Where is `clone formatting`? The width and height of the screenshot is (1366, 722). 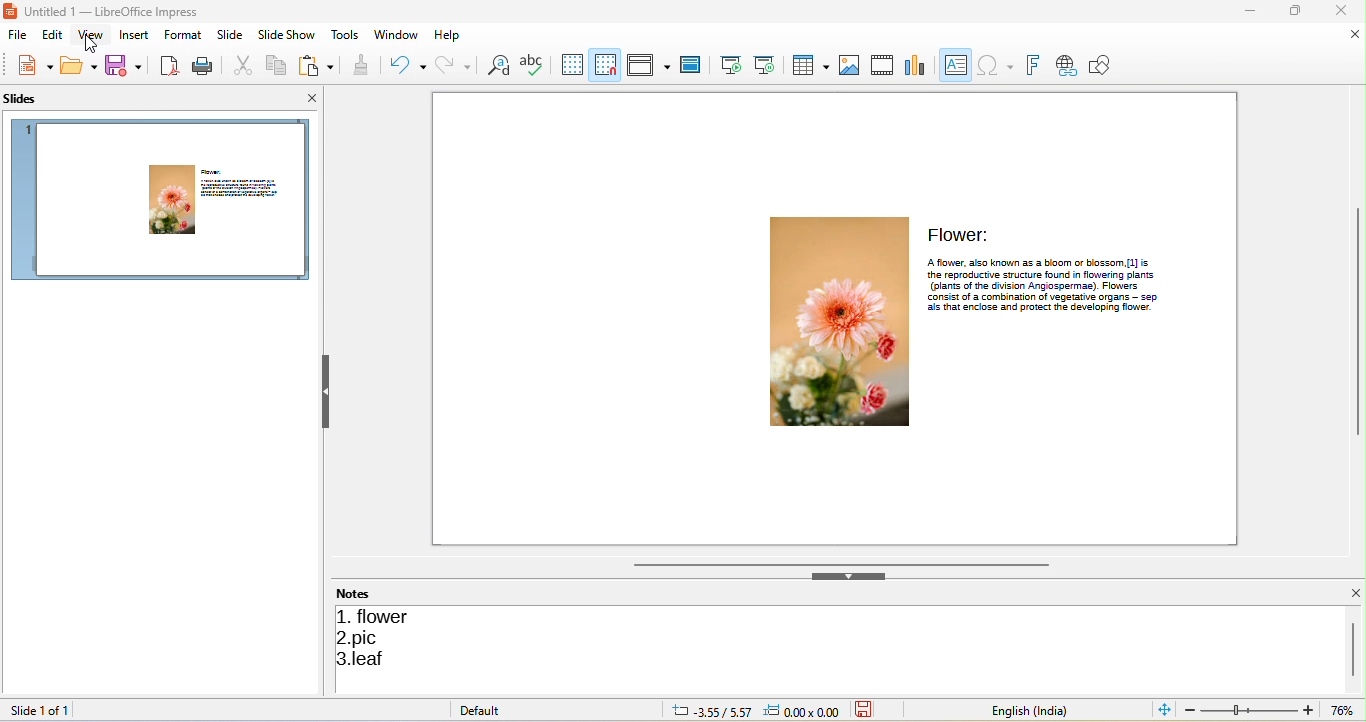
clone formatting is located at coordinates (359, 65).